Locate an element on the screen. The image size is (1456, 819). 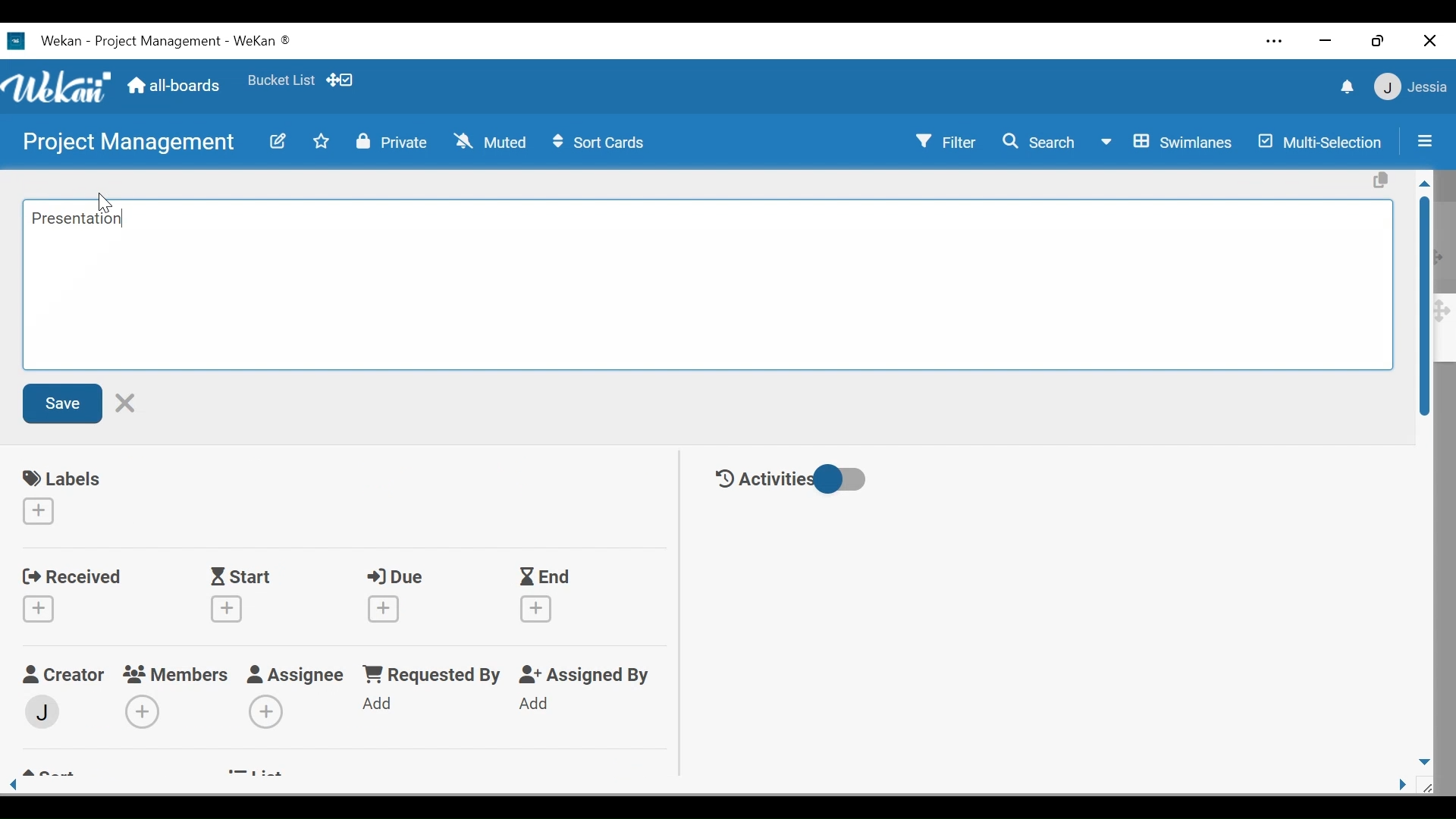
Create Start date is located at coordinates (227, 609).